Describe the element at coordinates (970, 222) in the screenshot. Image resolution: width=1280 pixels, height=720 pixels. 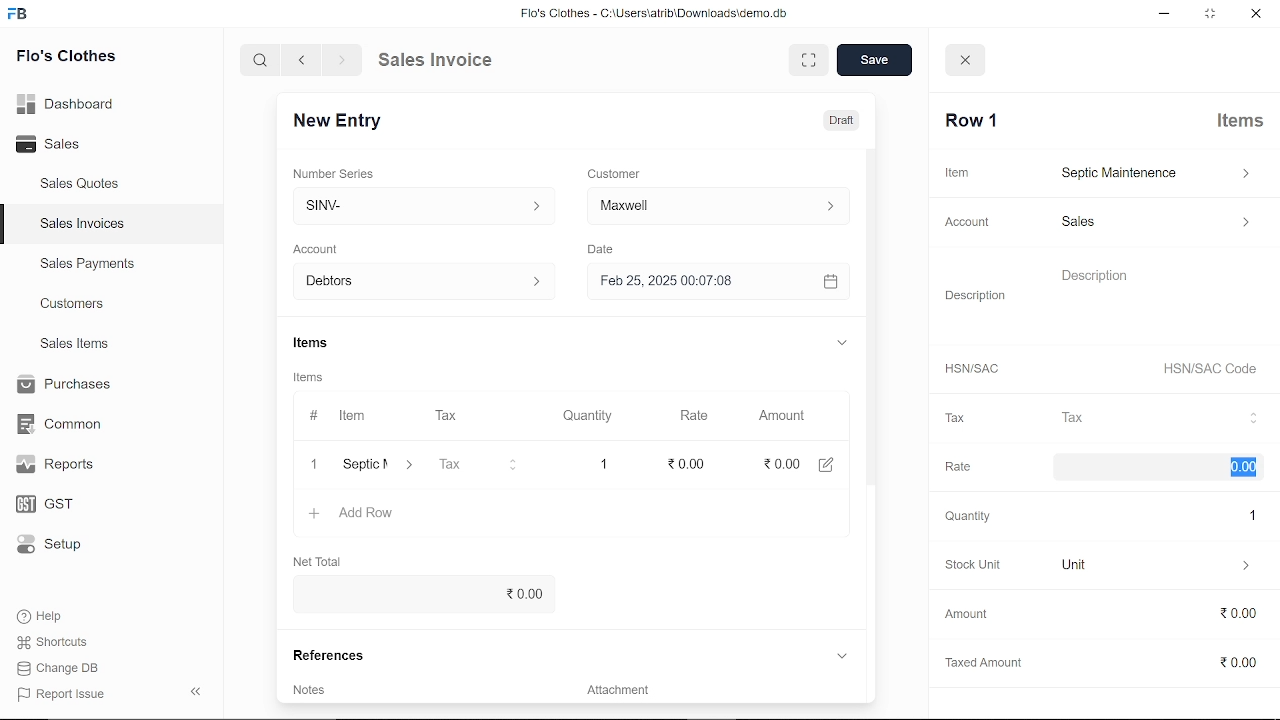
I see `Account` at that location.